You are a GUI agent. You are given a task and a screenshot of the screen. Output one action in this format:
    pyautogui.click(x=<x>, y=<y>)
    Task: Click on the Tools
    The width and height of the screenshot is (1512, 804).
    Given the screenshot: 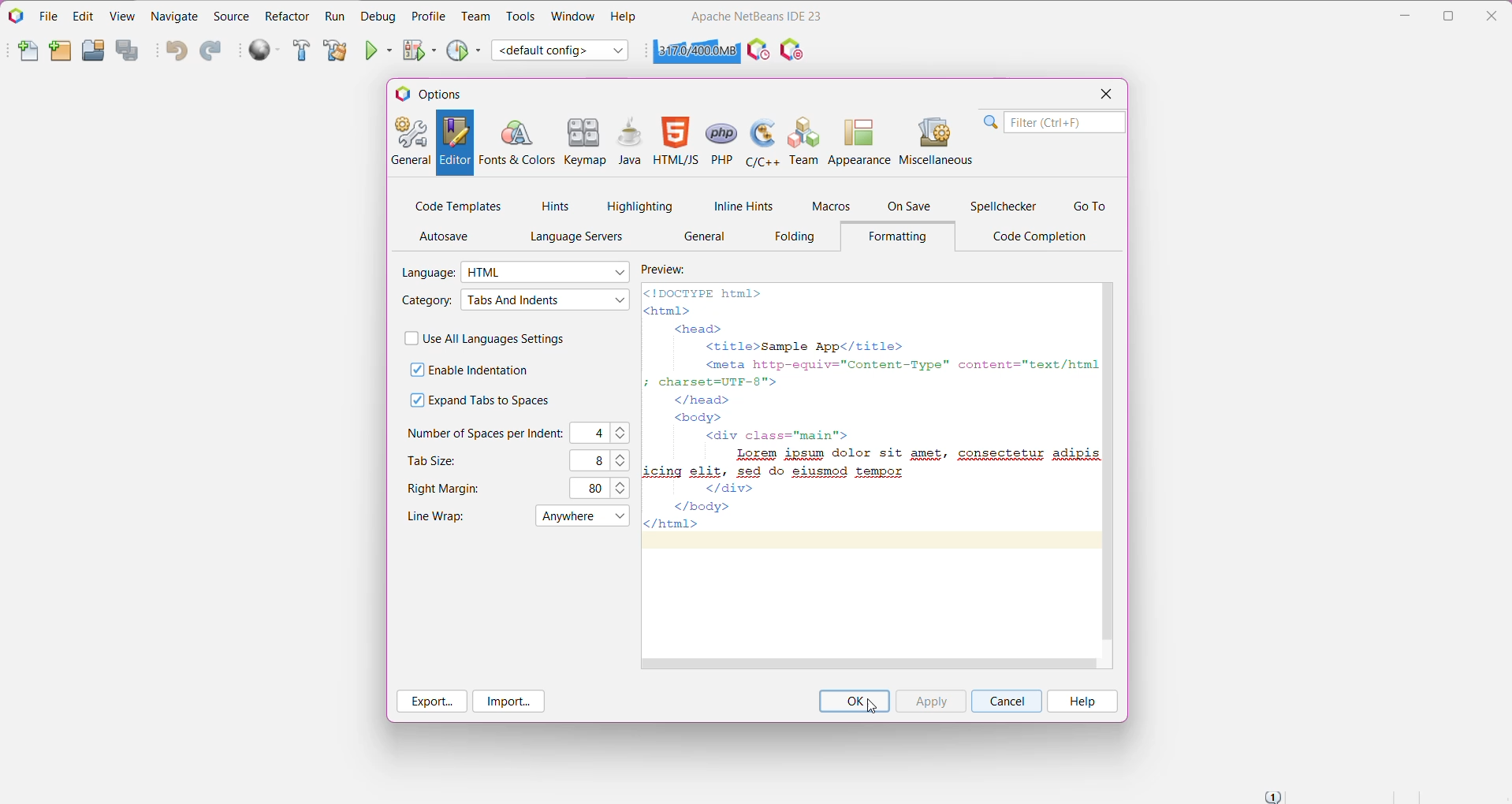 What is the action you would take?
    pyautogui.click(x=518, y=17)
    